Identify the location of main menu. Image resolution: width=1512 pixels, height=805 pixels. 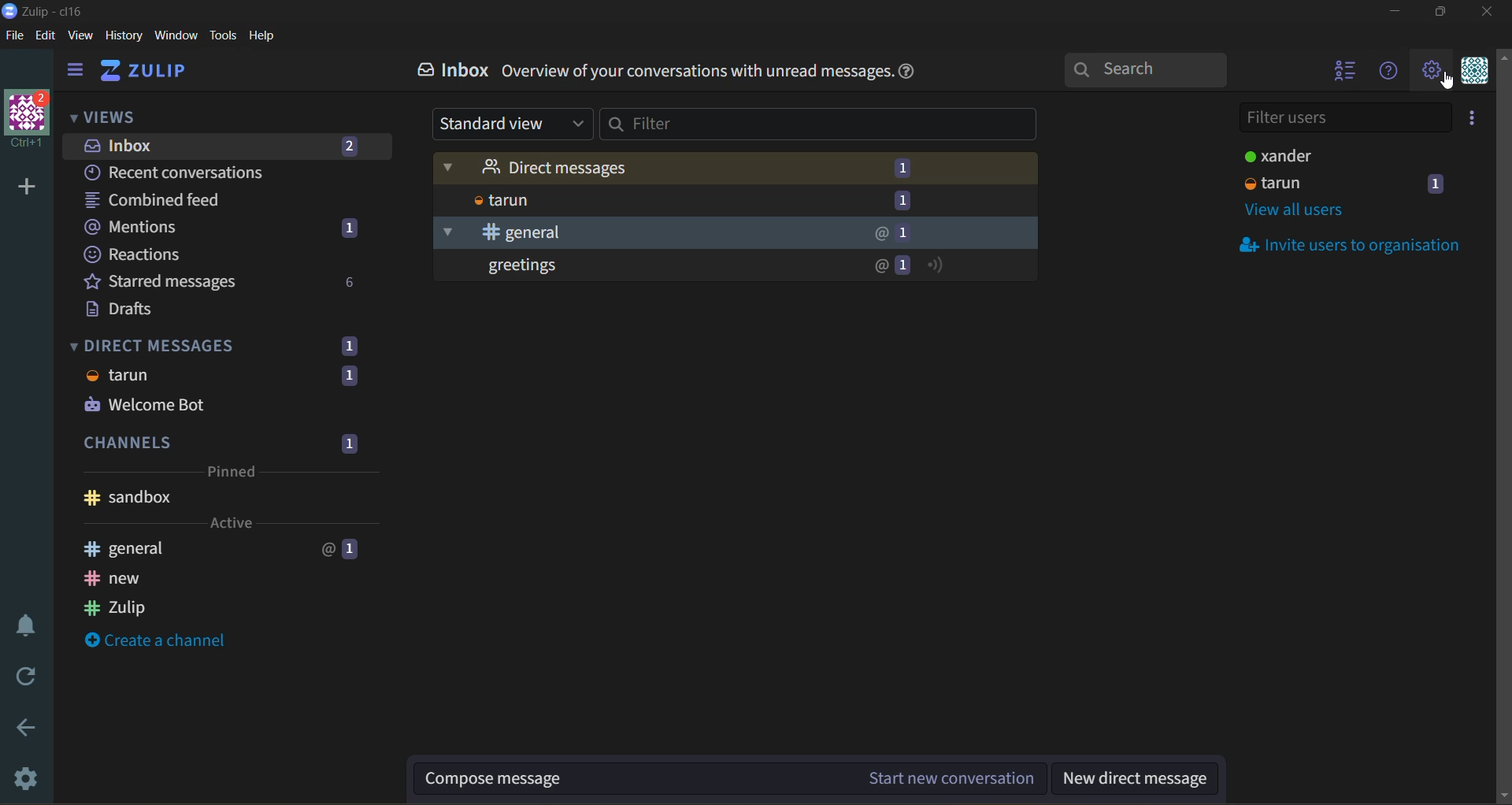
(1435, 70).